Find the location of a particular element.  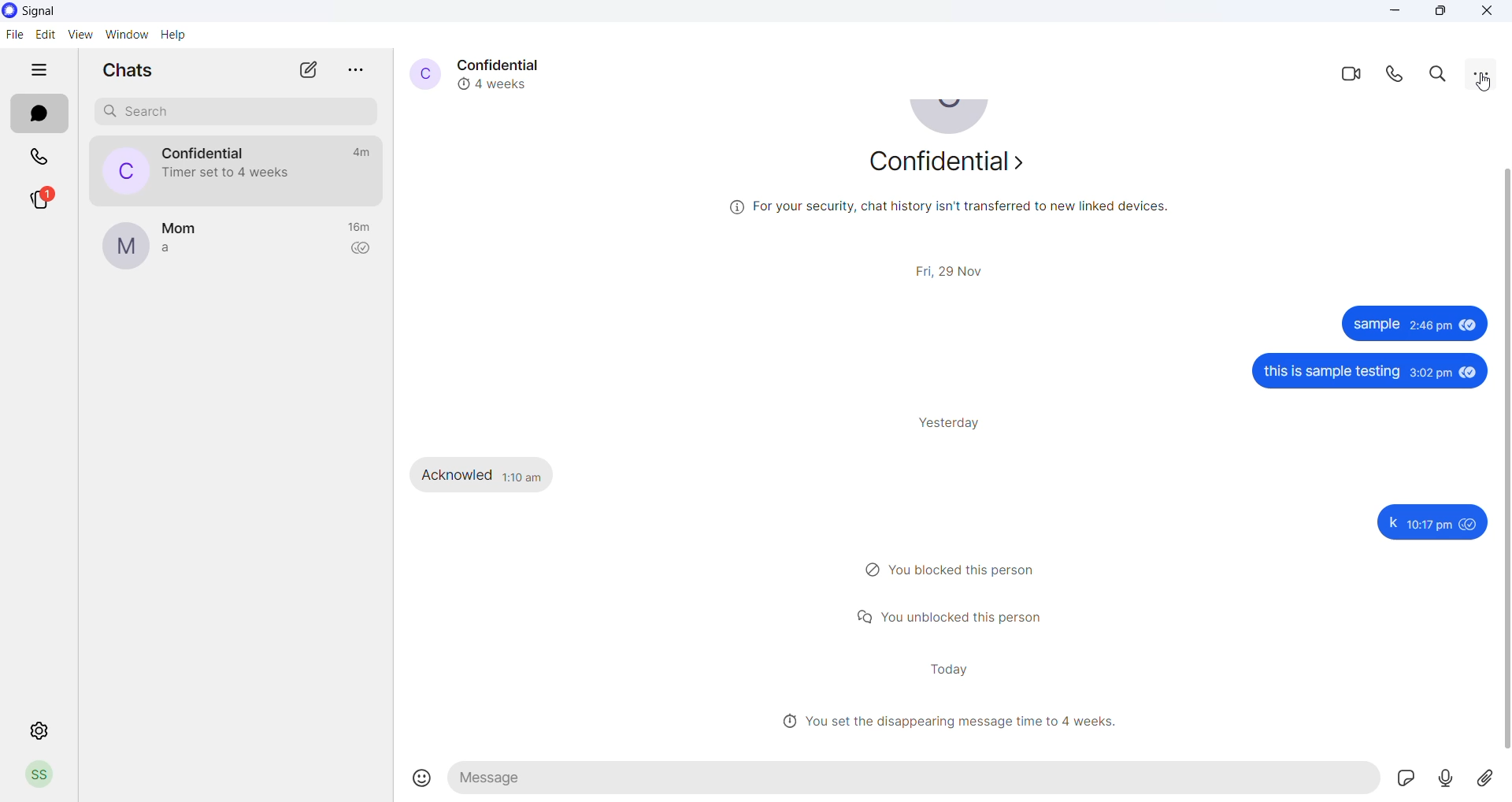

profile picture is located at coordinates (124, 247).